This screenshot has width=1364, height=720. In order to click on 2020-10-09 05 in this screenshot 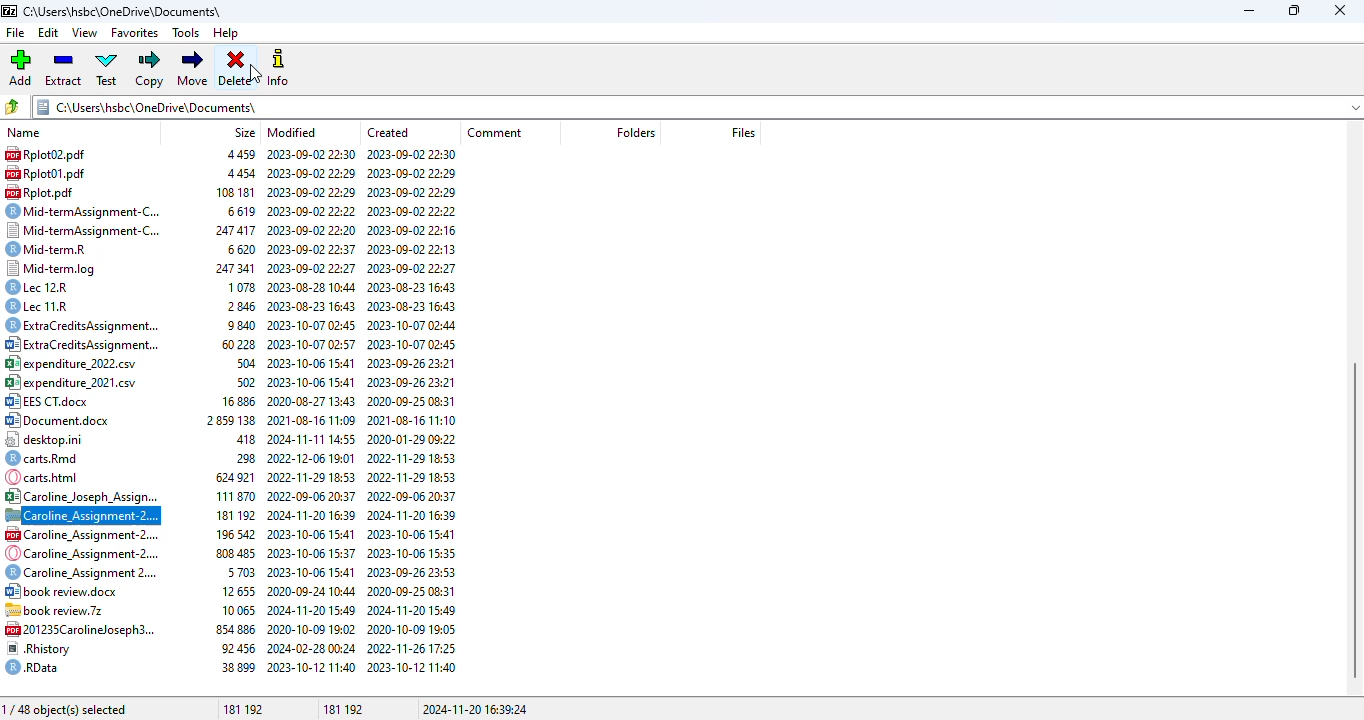, I will do `click(411, 628)`.